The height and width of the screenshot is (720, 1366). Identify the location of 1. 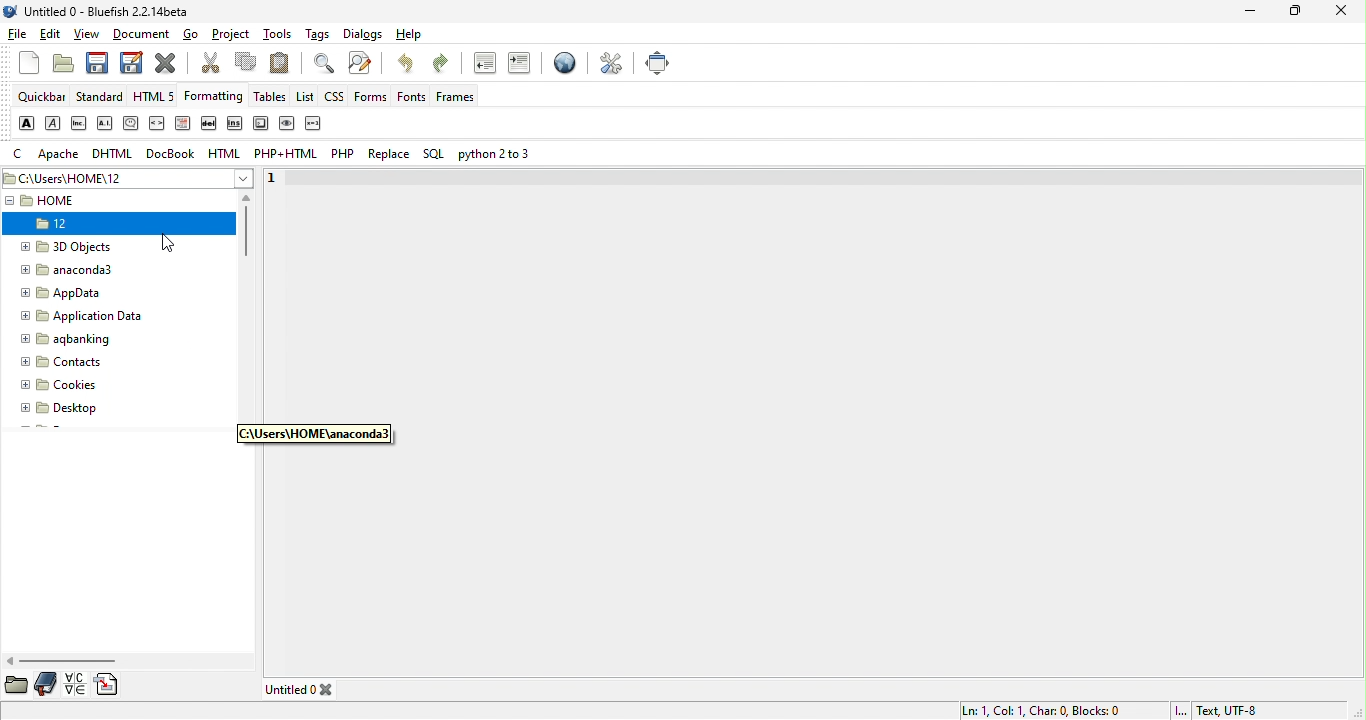
(276, 180).